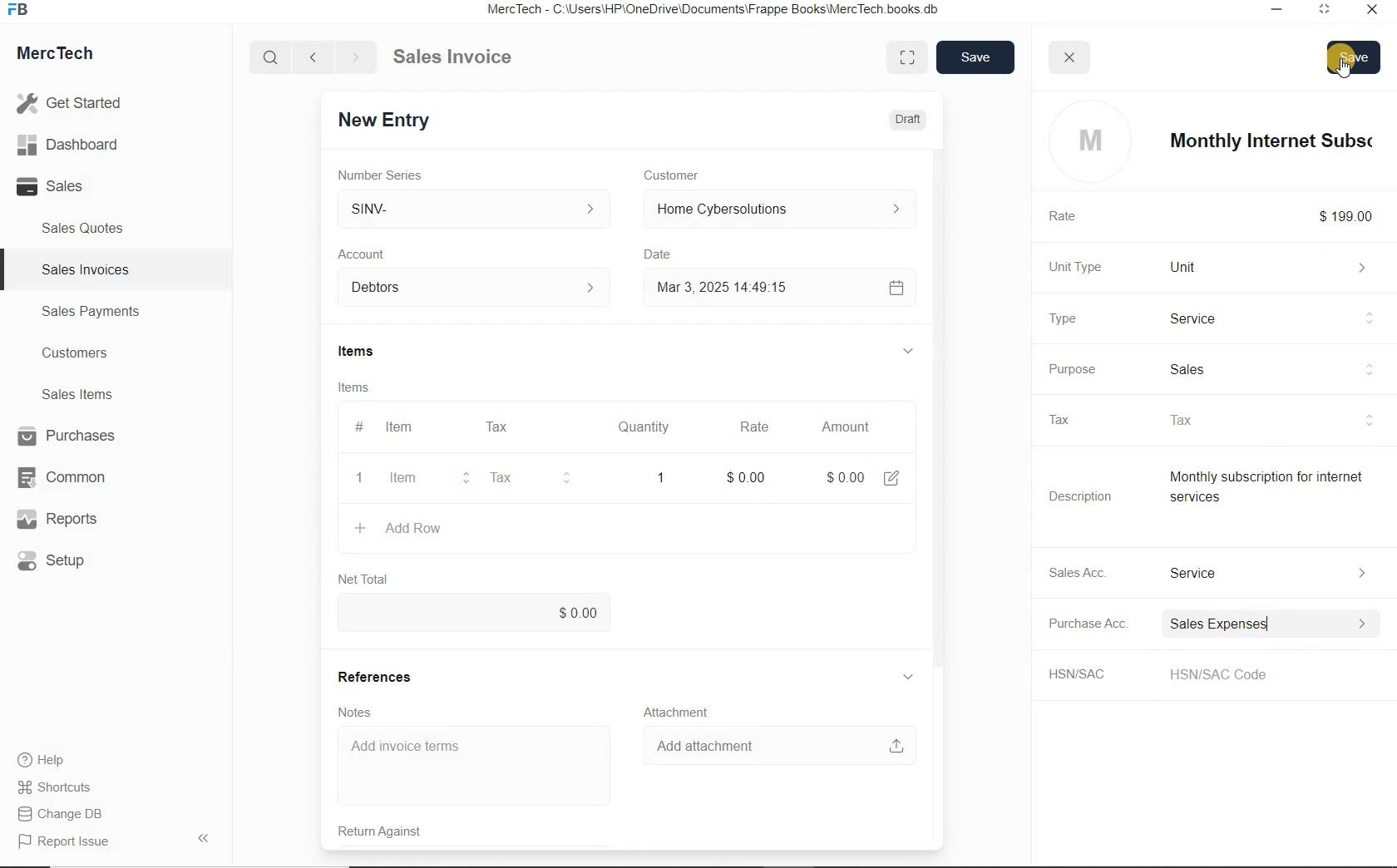 This screenshot has width=1397, height=868. I want to click on edit, so click(890, 476).